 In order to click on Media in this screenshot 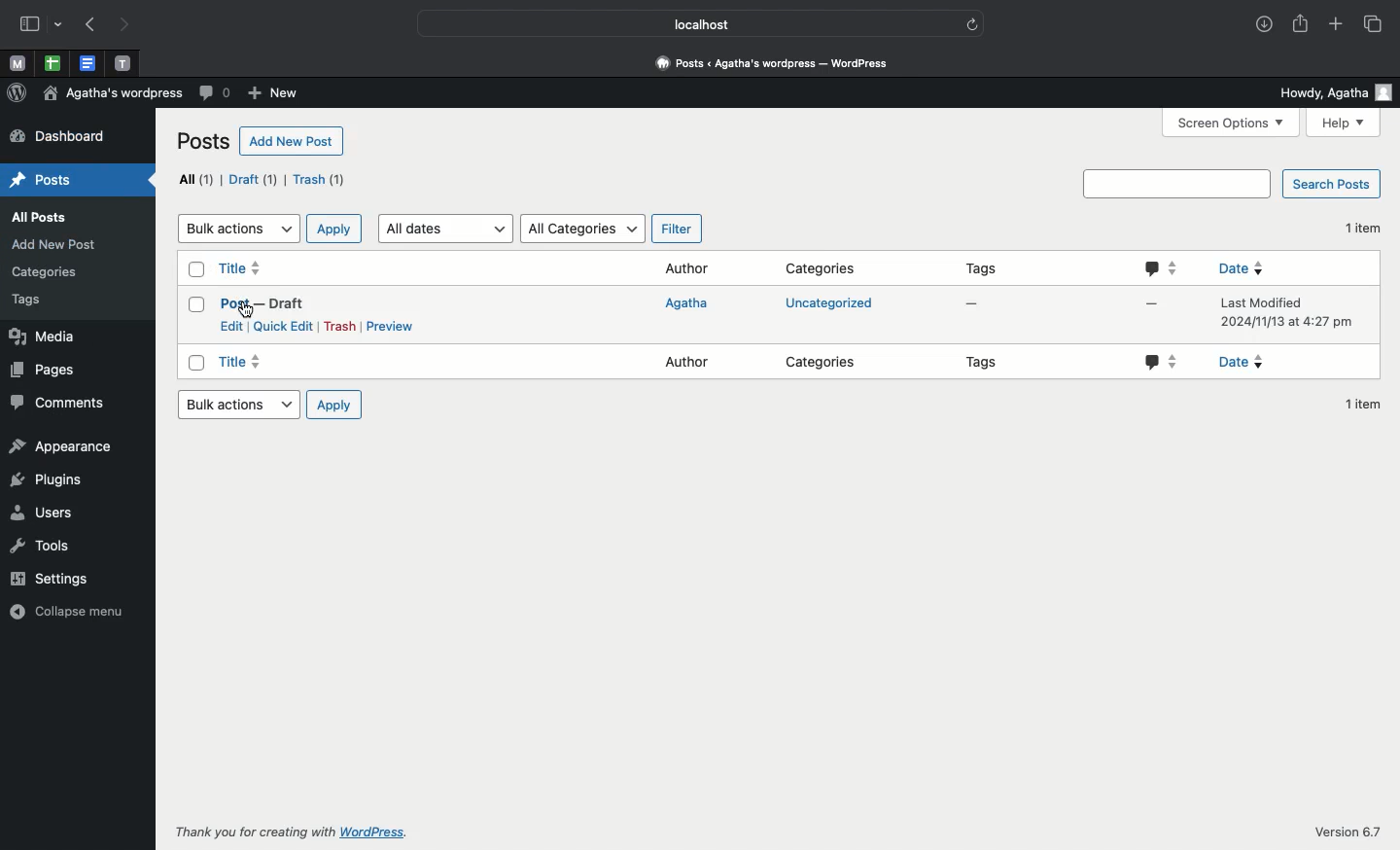, I will do `click(52, 336)`.